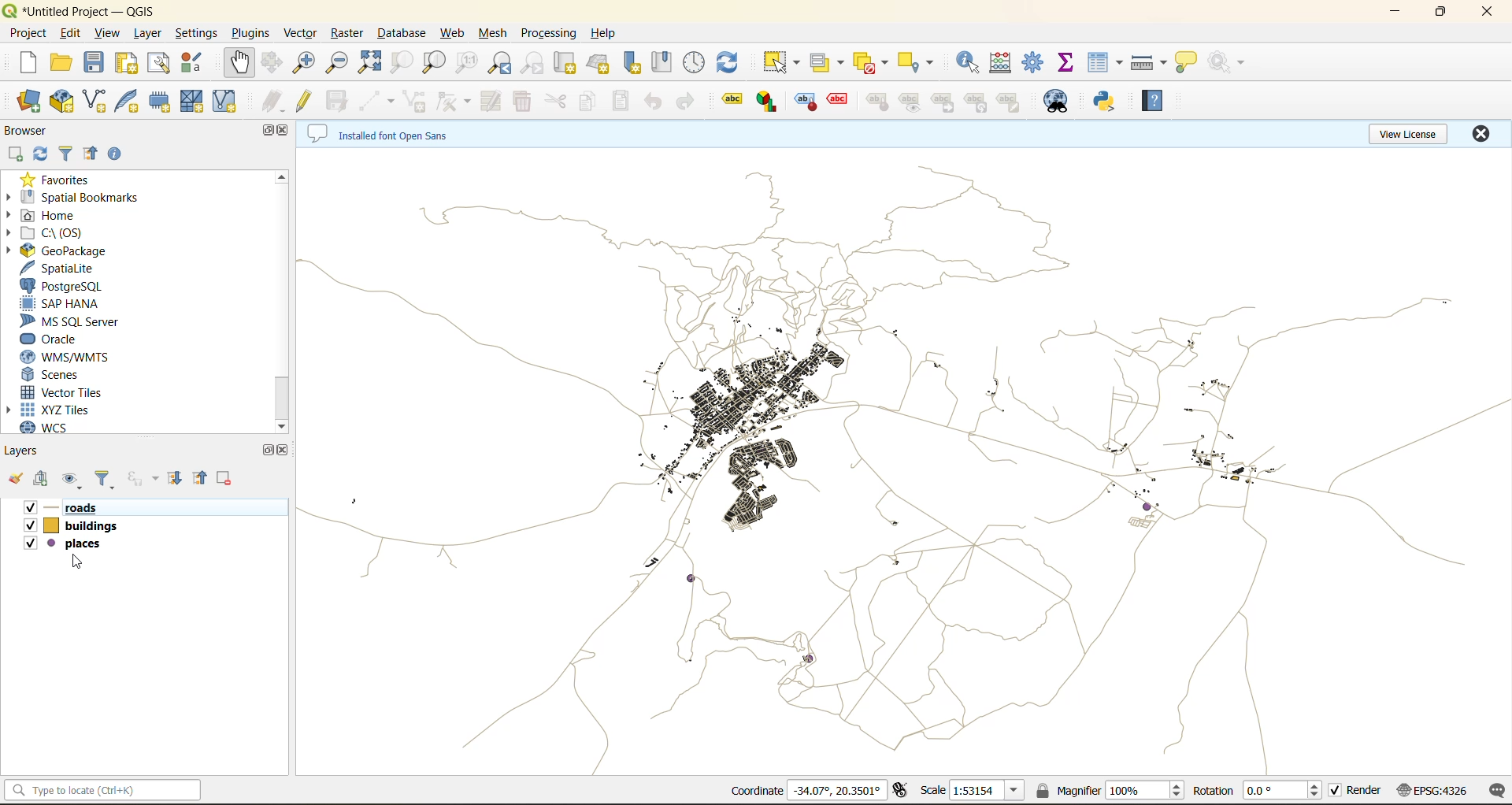  What do you see at coordinates (150, 33) in the screenshot?
I see `layer` at bounding box center [150, 33].